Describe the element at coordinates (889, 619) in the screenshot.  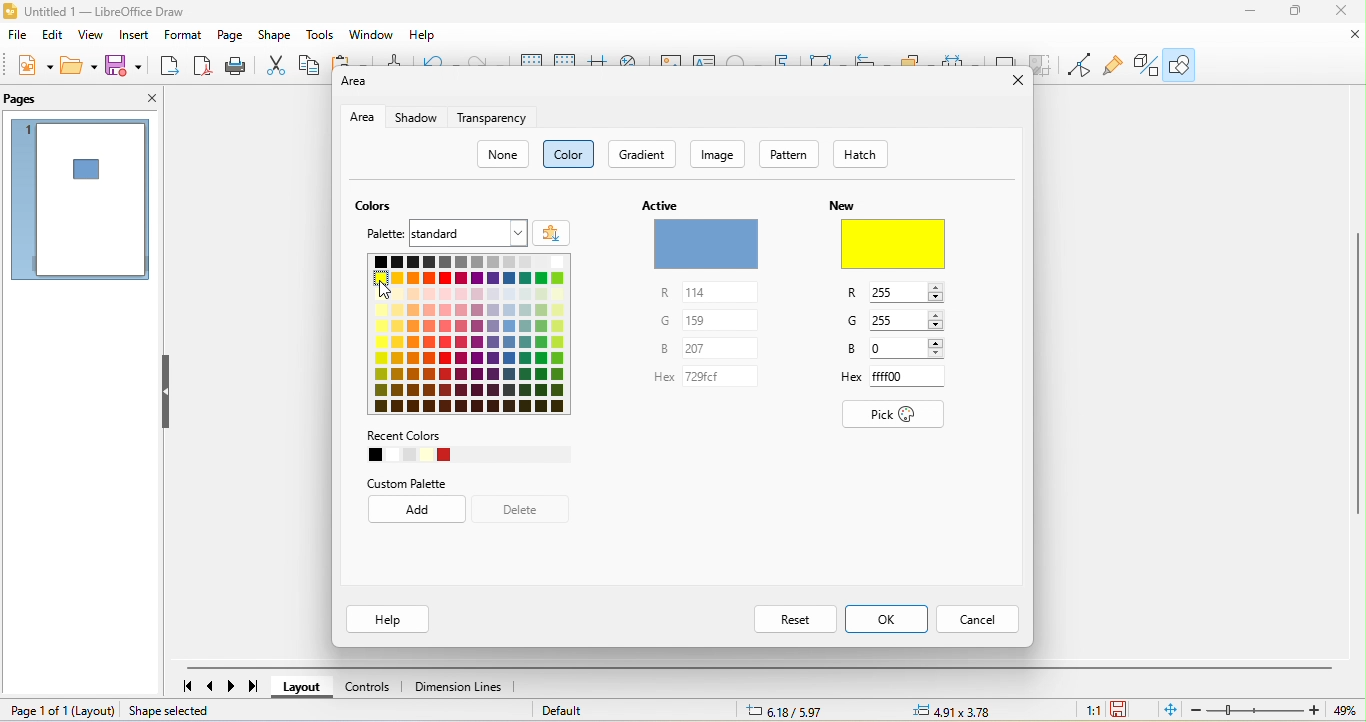
I see `ok` at that location.